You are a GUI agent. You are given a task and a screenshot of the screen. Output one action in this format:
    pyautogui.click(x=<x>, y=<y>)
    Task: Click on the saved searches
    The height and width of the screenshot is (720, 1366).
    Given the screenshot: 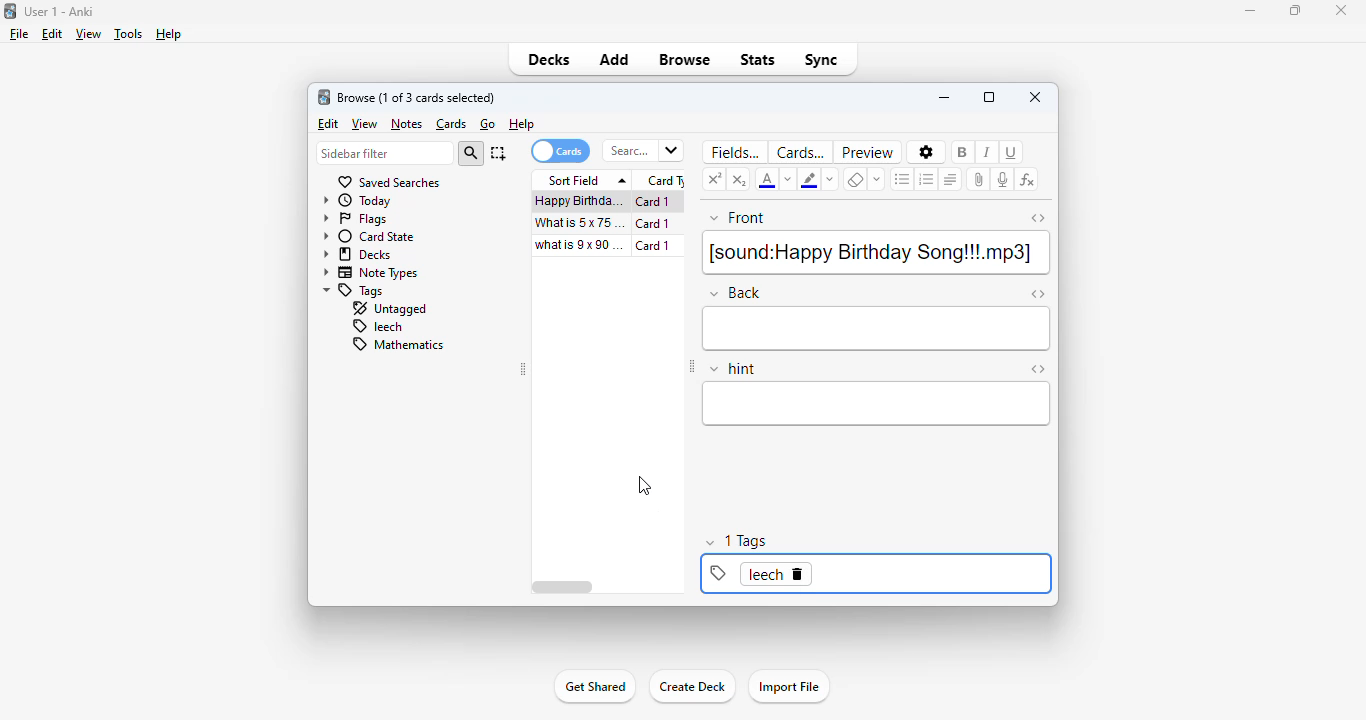 What is the action you would take?
    pyautogui.click(x=388, y=182)
    